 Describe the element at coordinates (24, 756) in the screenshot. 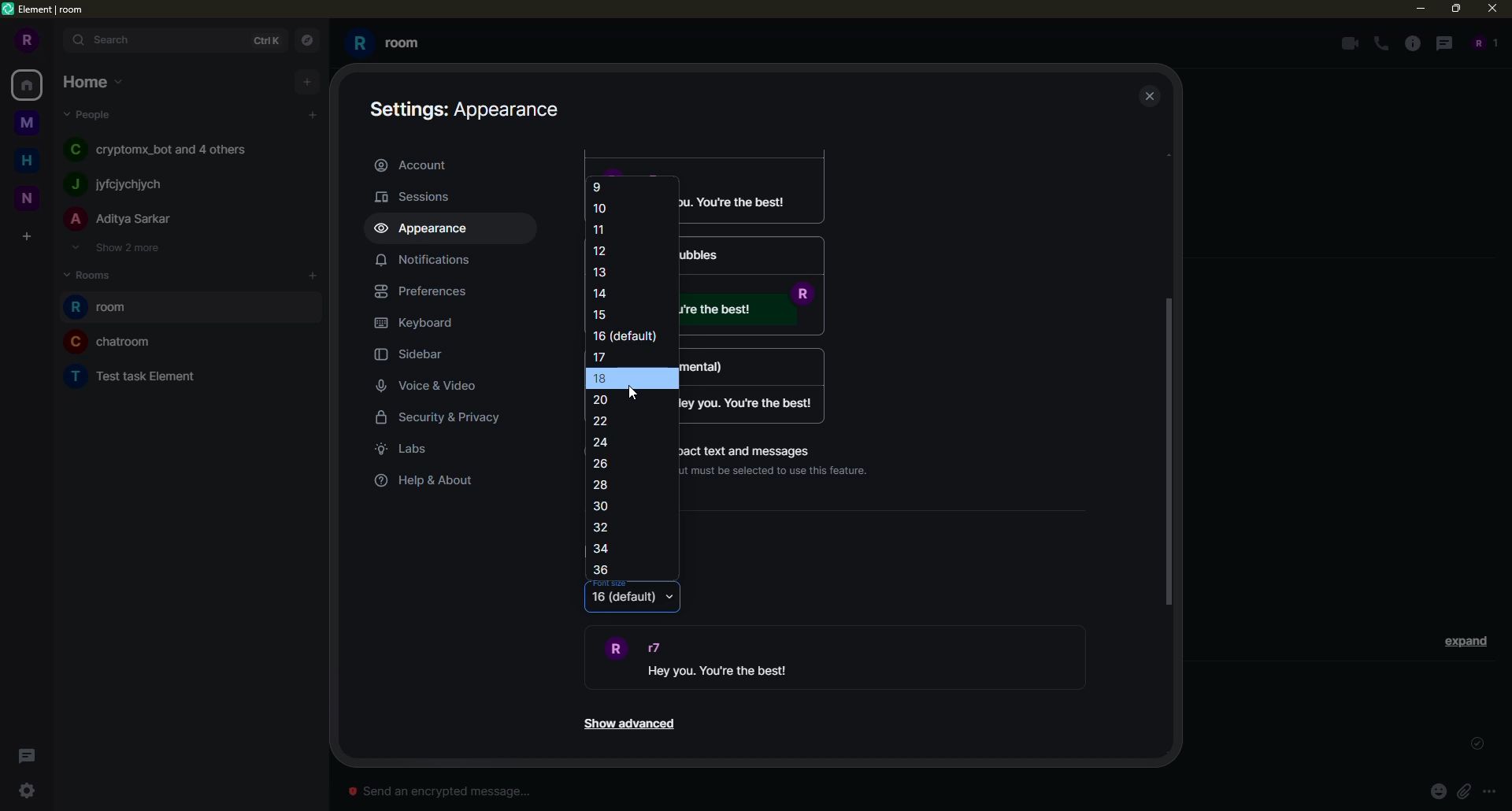

I see `threads` at that location.